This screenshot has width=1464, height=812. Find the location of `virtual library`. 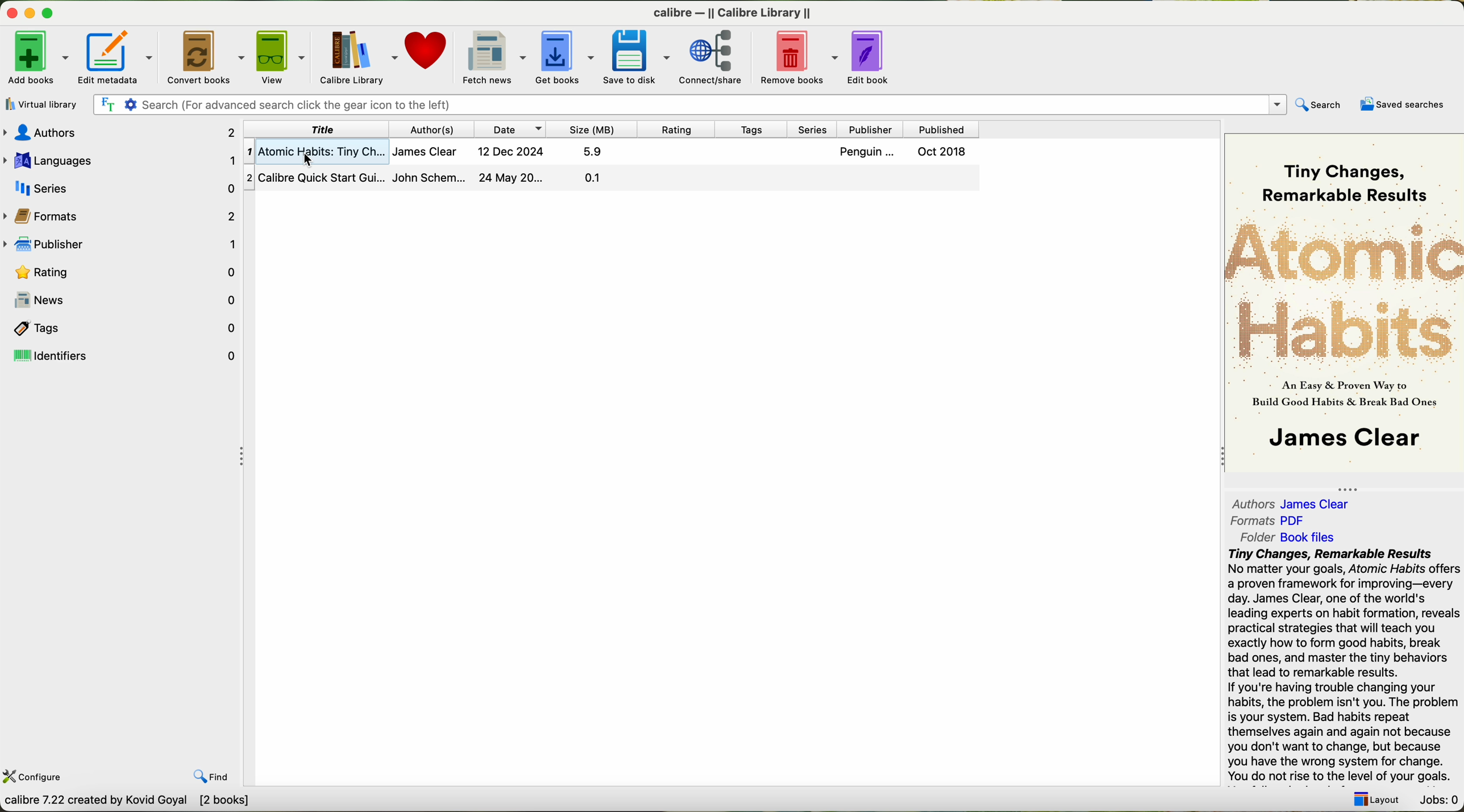

virtual library is located at coordinates (42, 104).